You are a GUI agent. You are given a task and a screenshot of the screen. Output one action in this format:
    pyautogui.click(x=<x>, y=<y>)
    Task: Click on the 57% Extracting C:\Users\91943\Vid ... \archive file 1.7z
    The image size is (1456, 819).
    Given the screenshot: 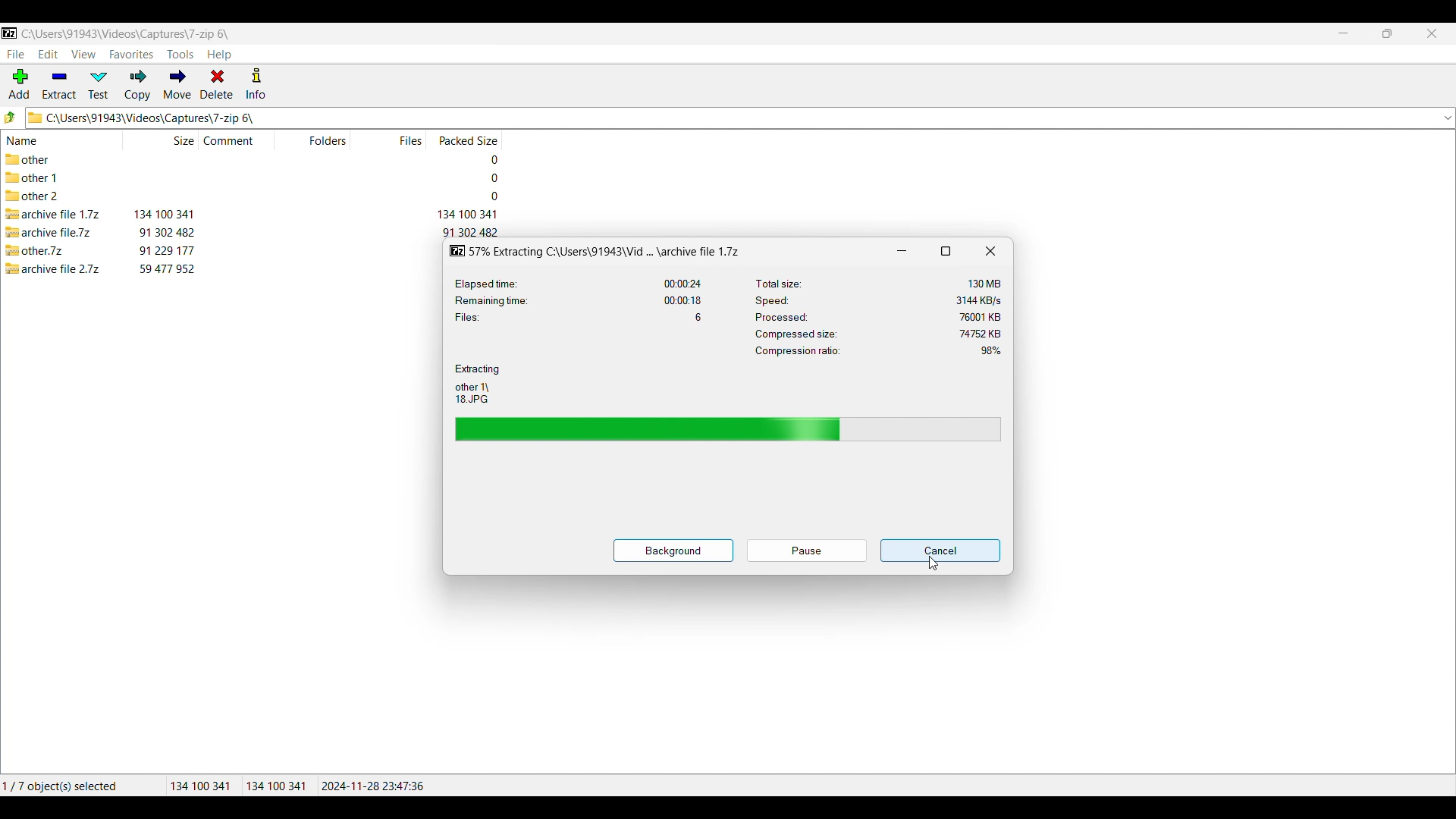 What is the action you would take?
    pyautogui.click(x=598, y=251)
    